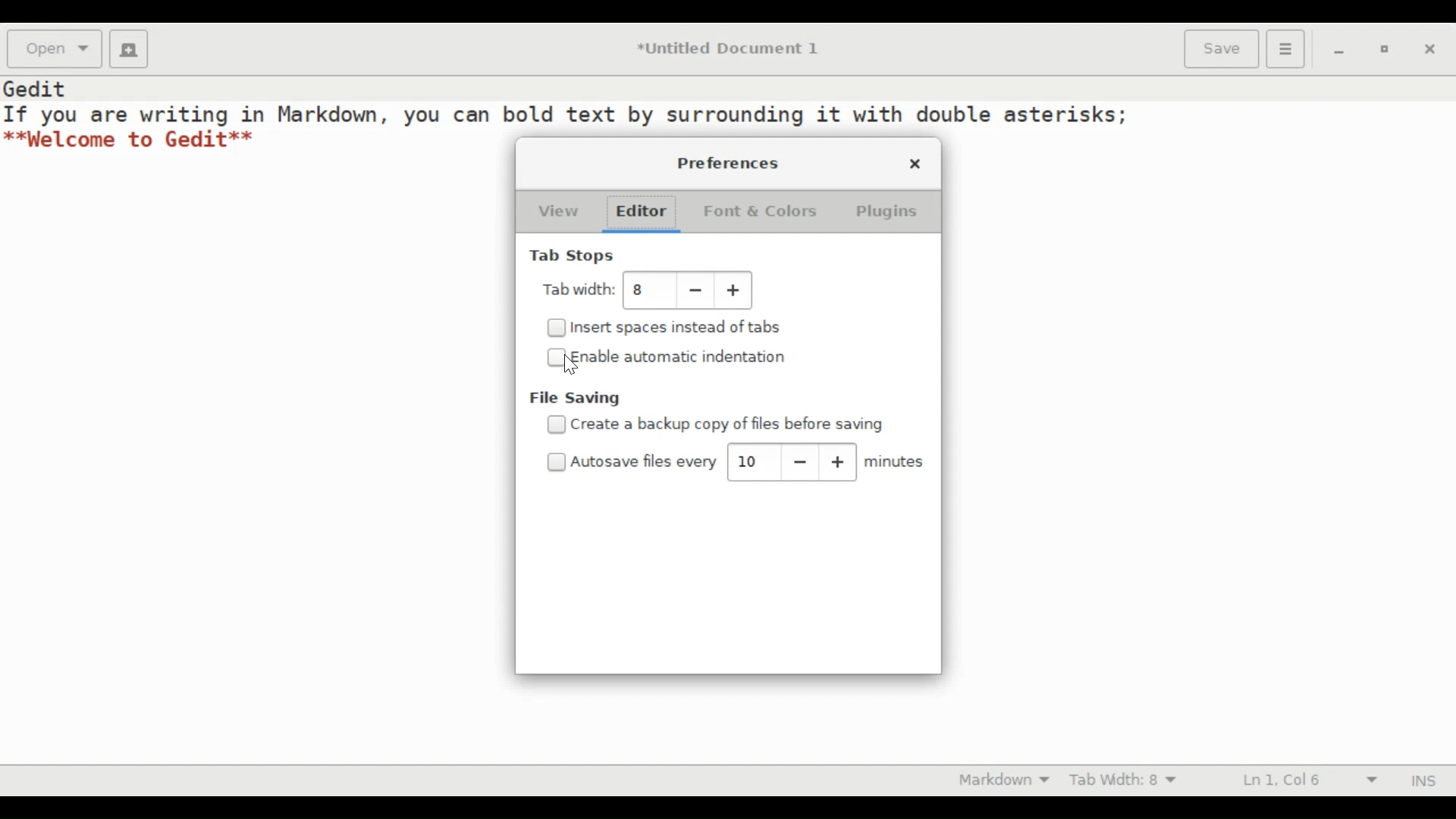  I want to click on Insert spaces instead of tabs, so click(677, 327).